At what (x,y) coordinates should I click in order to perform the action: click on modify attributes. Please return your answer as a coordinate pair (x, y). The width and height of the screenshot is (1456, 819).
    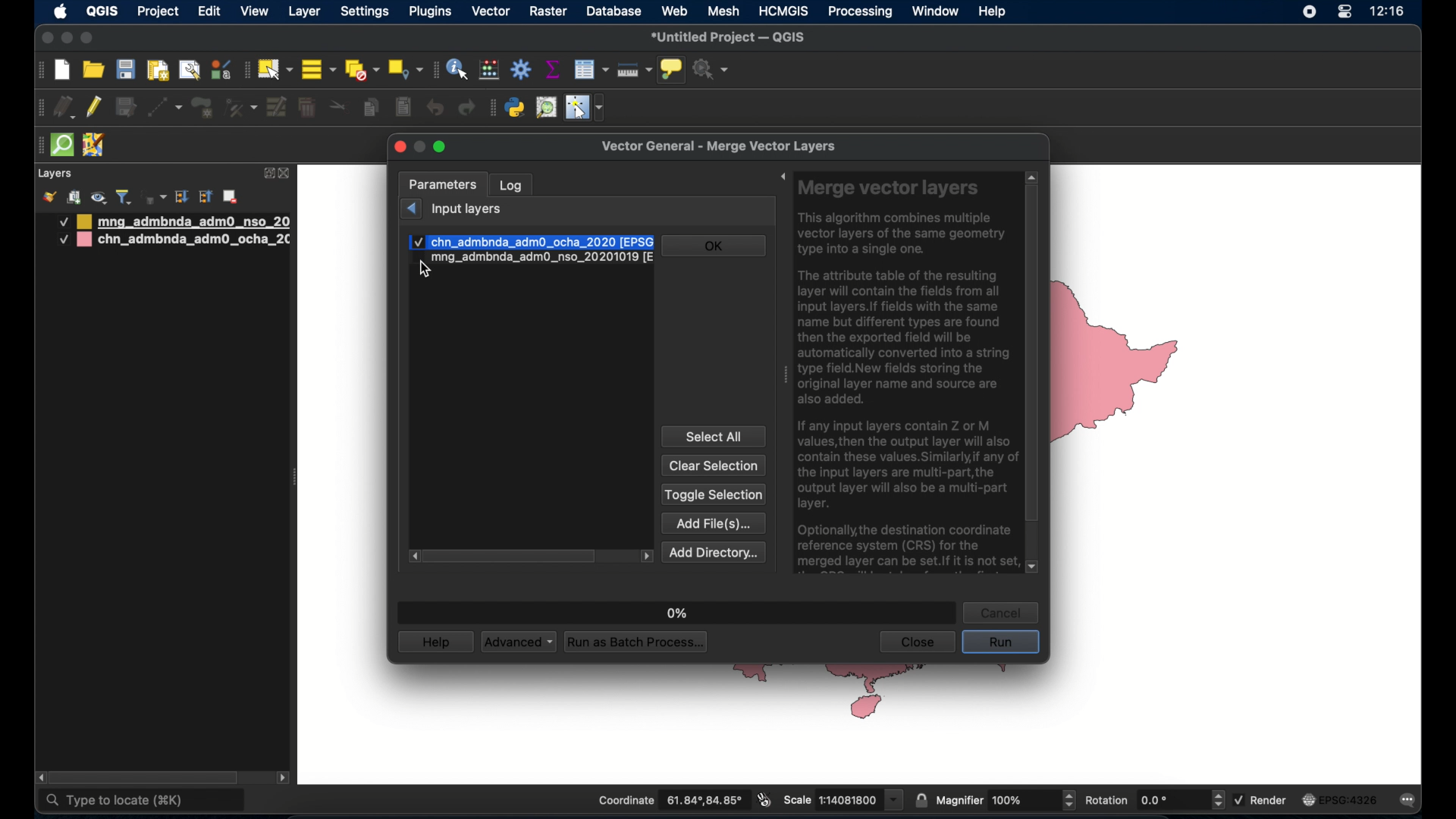
    Looking at the image, I should click on (278, 108).